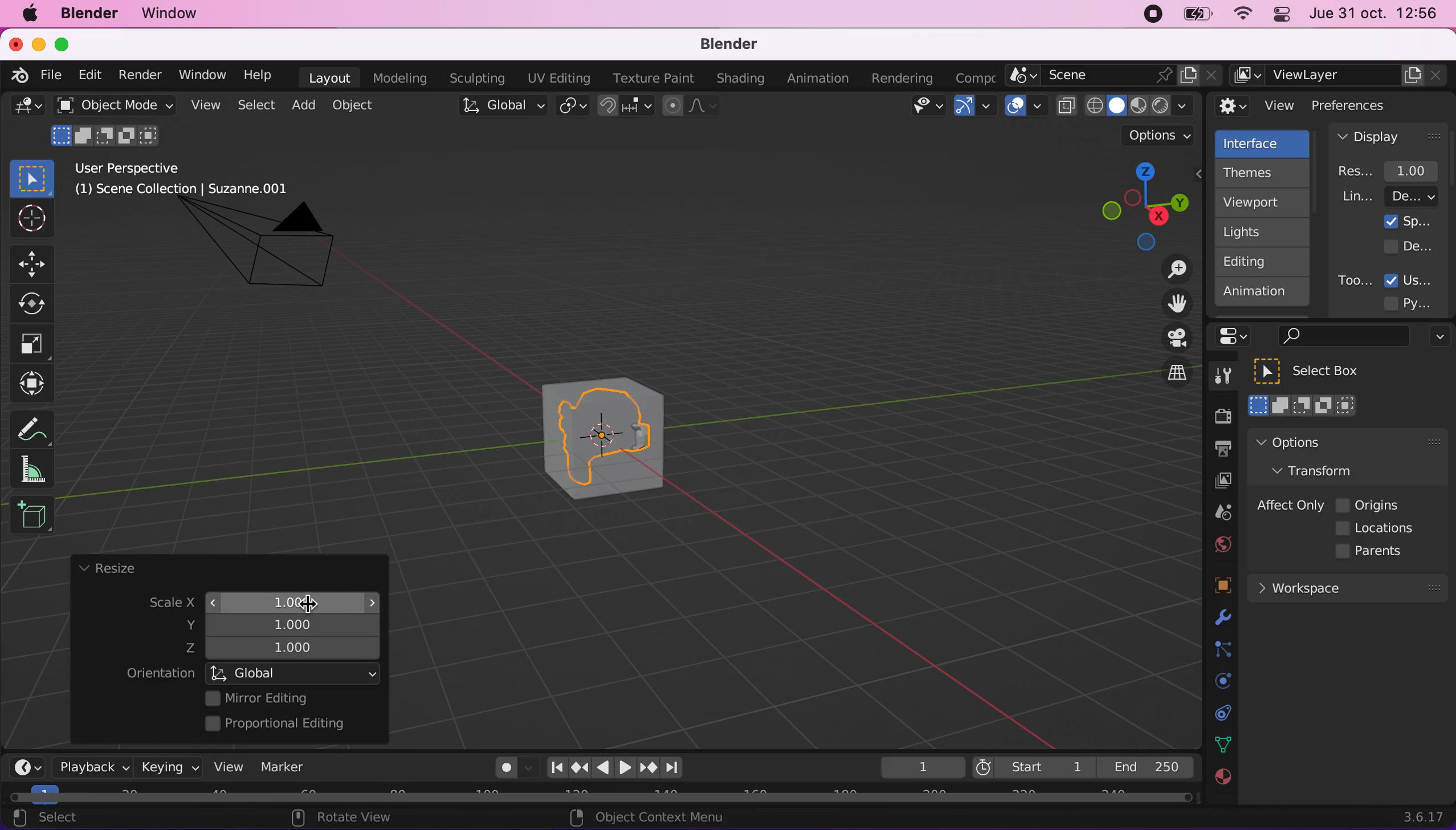 The image size is (1456, 830). Describe the element at coordinates (1265, 233) in the screenshot. I see `lights` at that location.